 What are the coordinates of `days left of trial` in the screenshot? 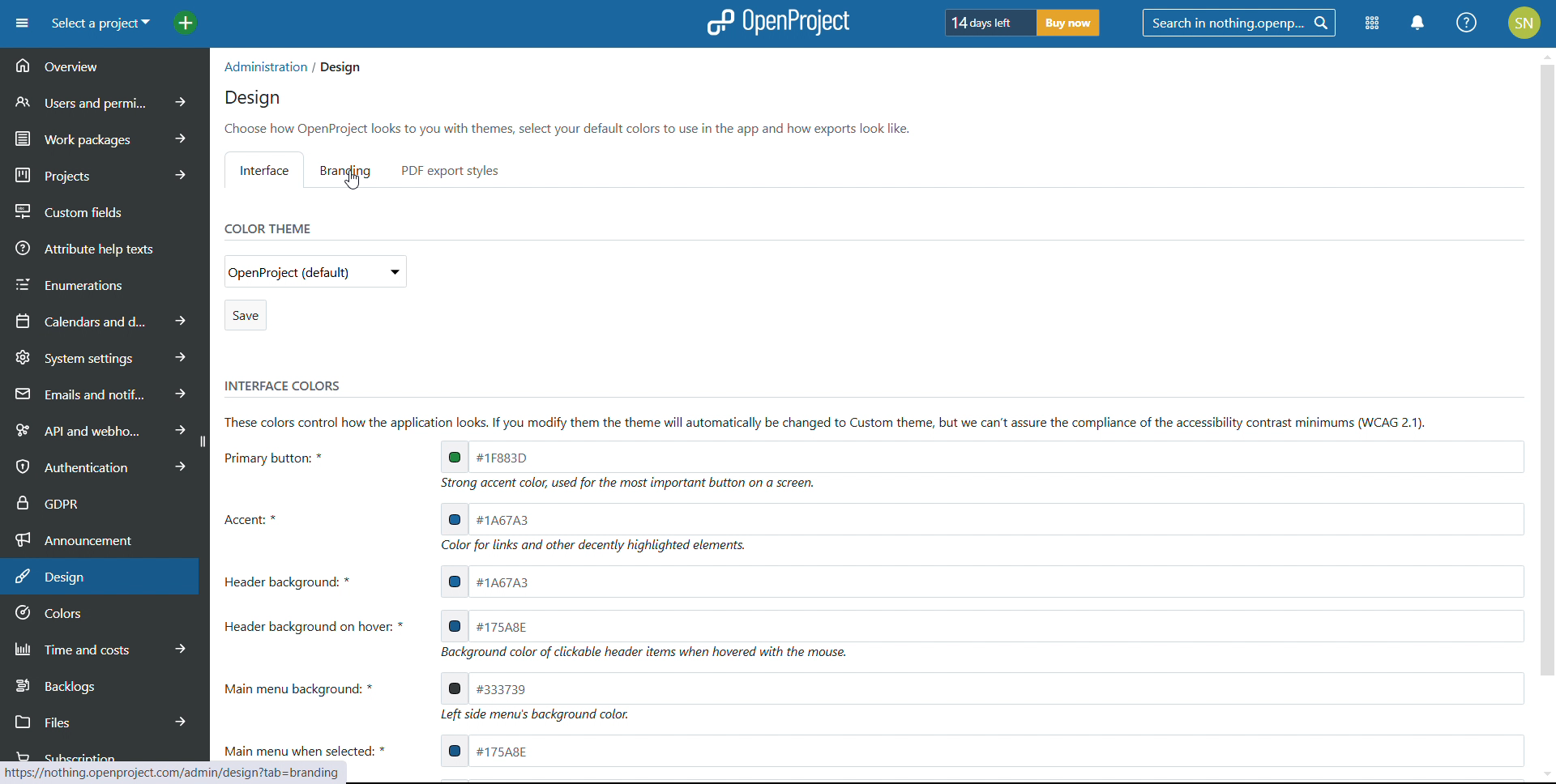 It's located at (986, 22).